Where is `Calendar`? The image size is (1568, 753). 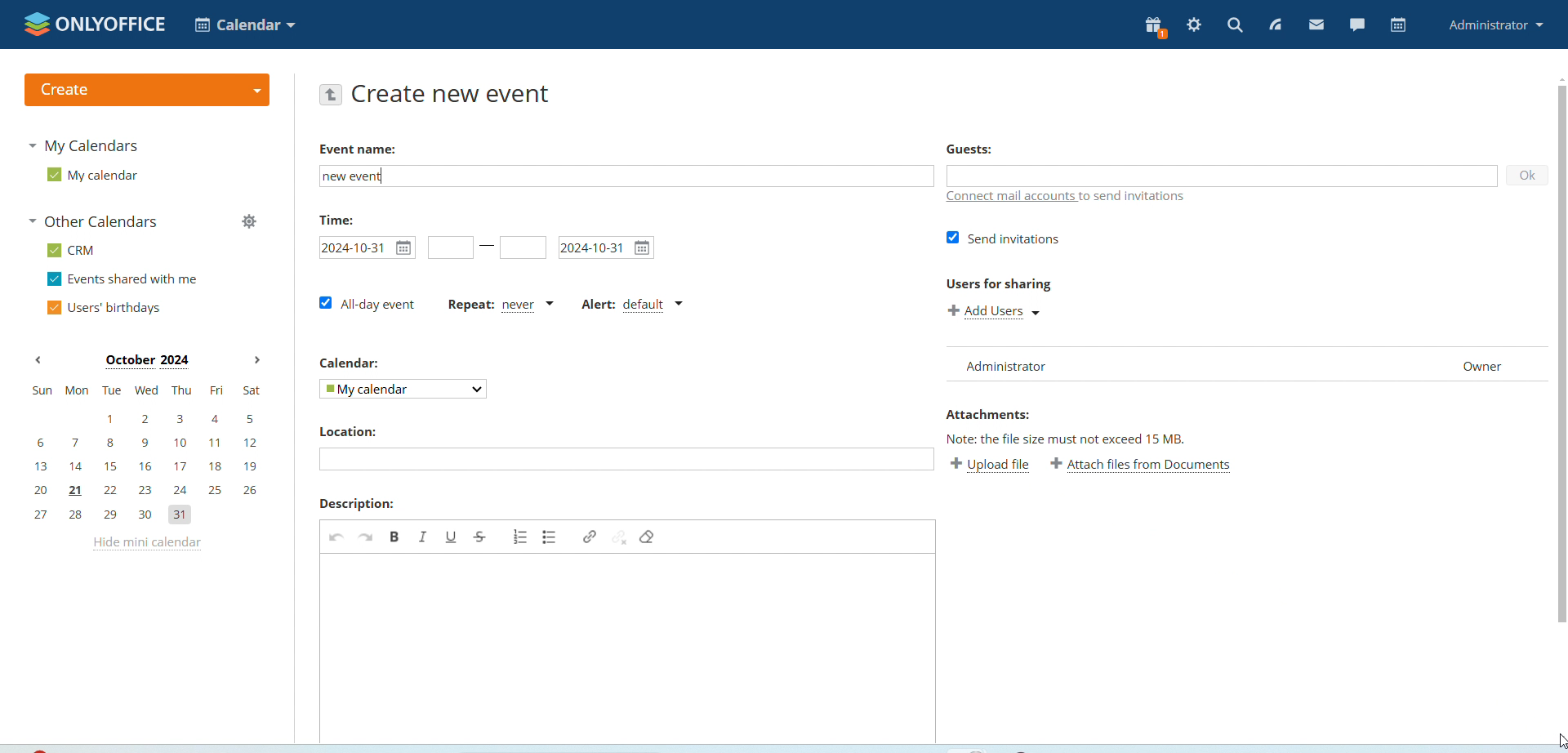
Calendar is located at coordinates (346, 363).